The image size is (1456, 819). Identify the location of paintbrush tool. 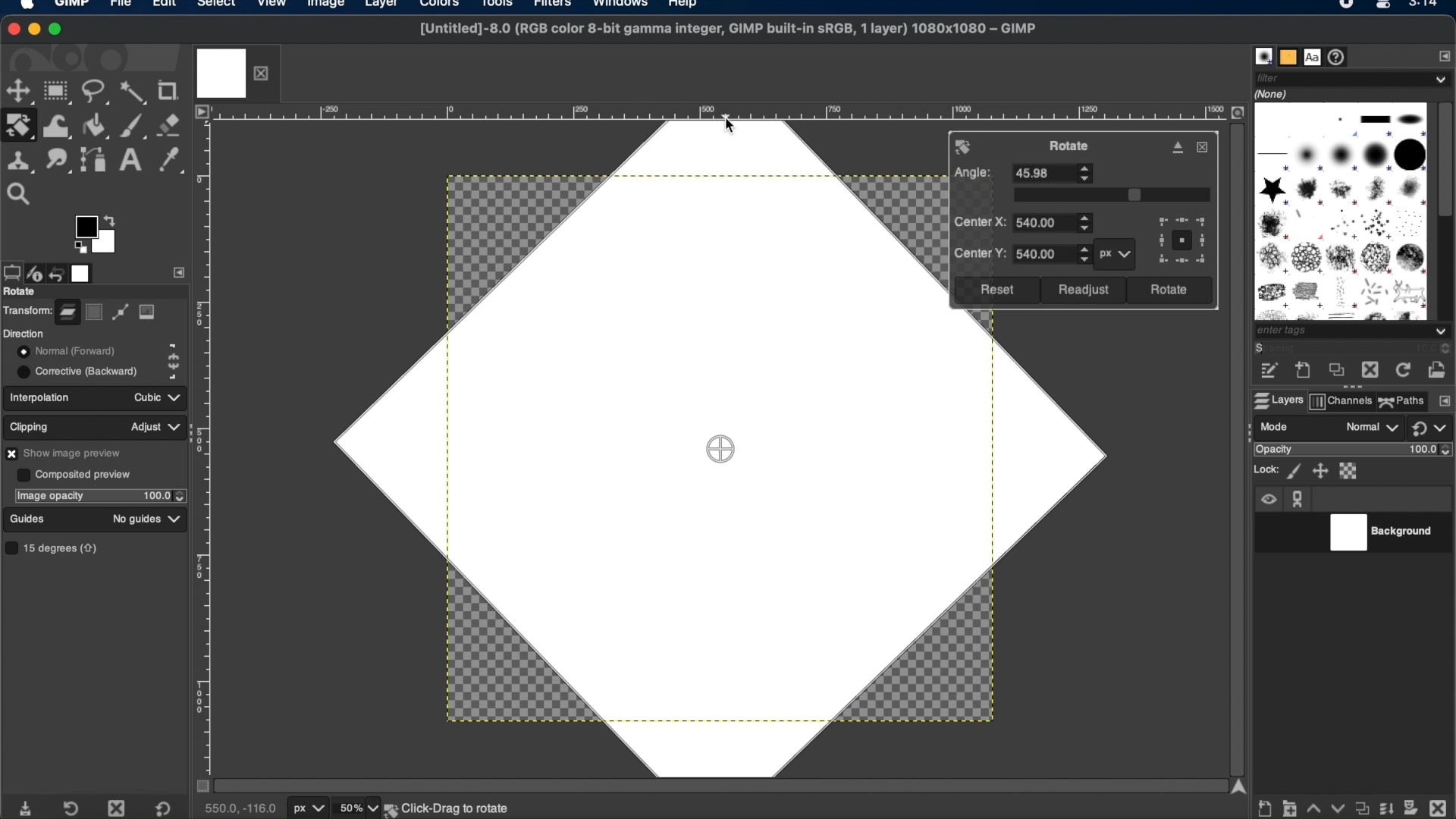
(134, 124).